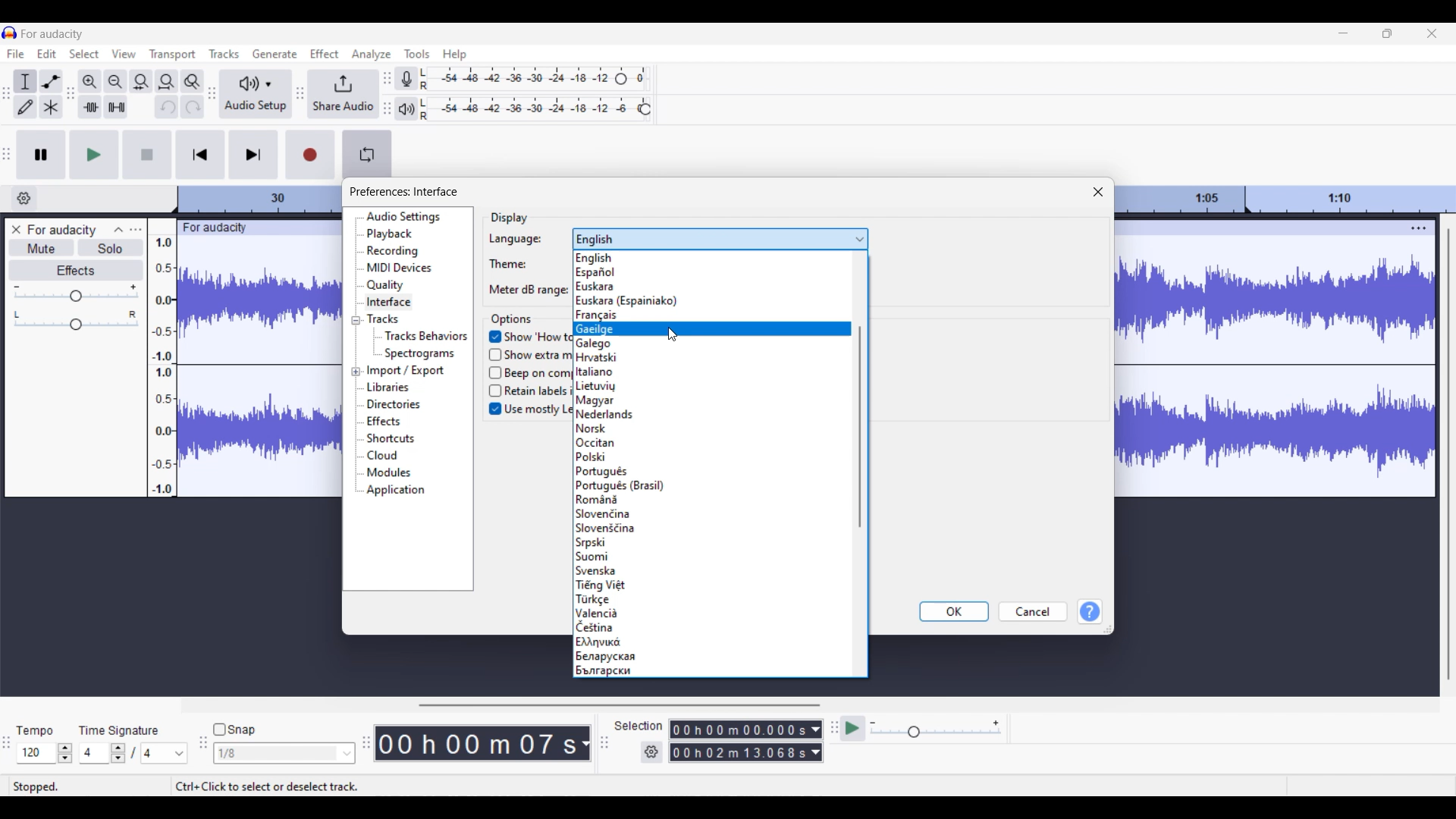  I want to click on Language:, so click(510, 240).